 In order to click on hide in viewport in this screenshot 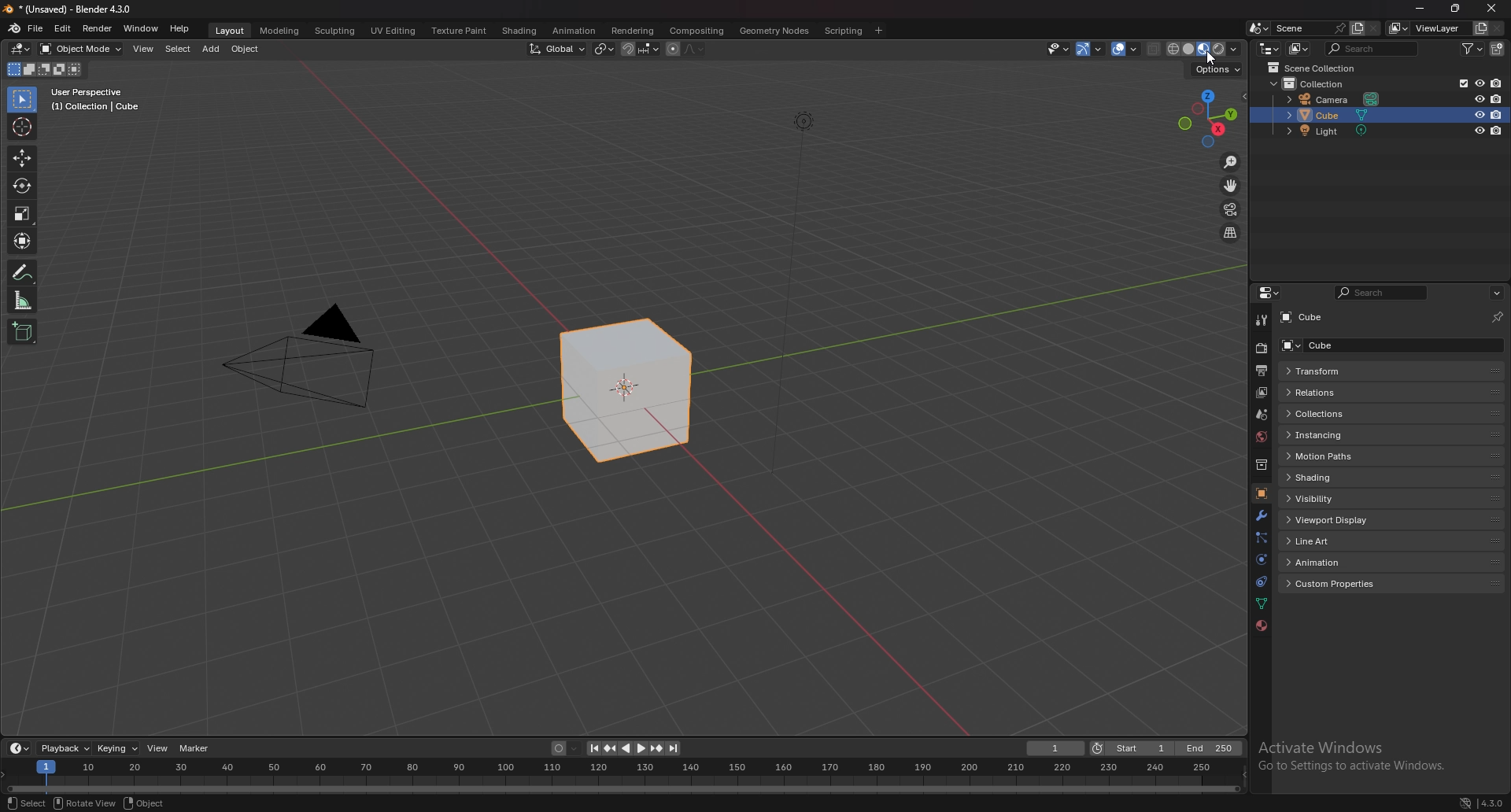, I will do `click(1478, 83)`.